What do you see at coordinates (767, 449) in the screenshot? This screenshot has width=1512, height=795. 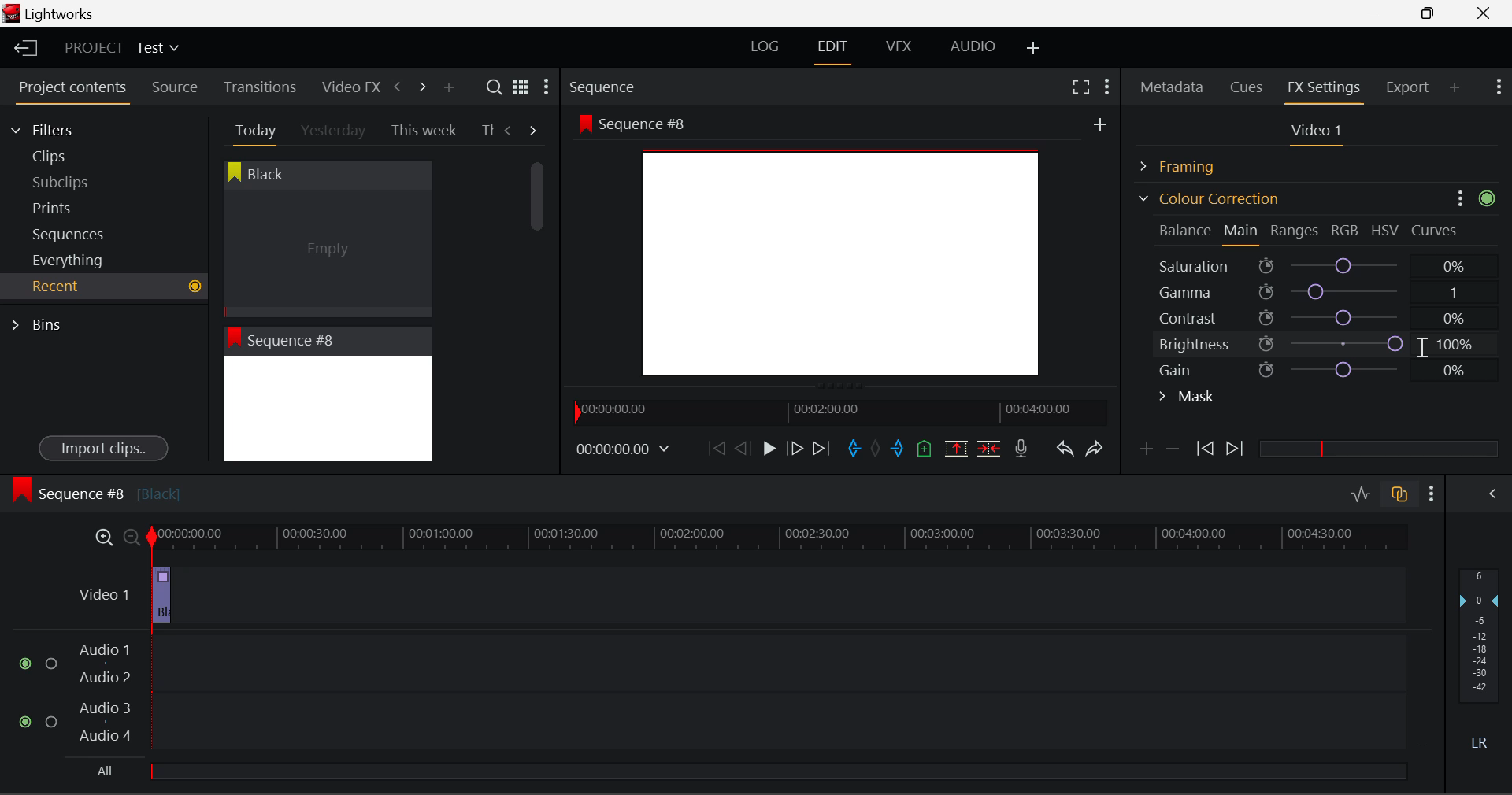 I see `Play` at bounding box center [767, 449].